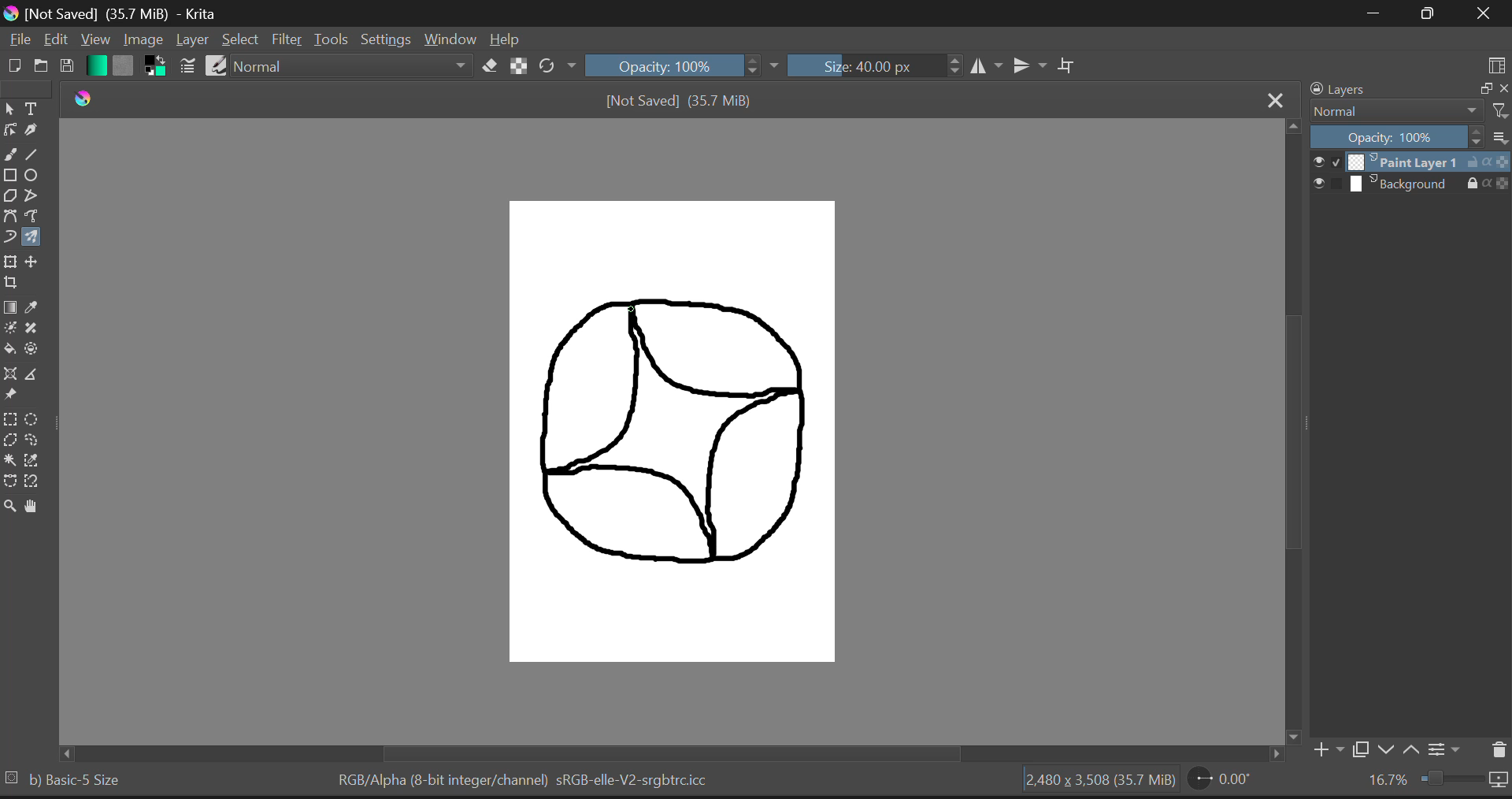 The width and height of the screenshot is (1512, 799). What do you see at coordinates (240, 40) in the screenshot?
I see `Select` at bounding box center [240, 40].